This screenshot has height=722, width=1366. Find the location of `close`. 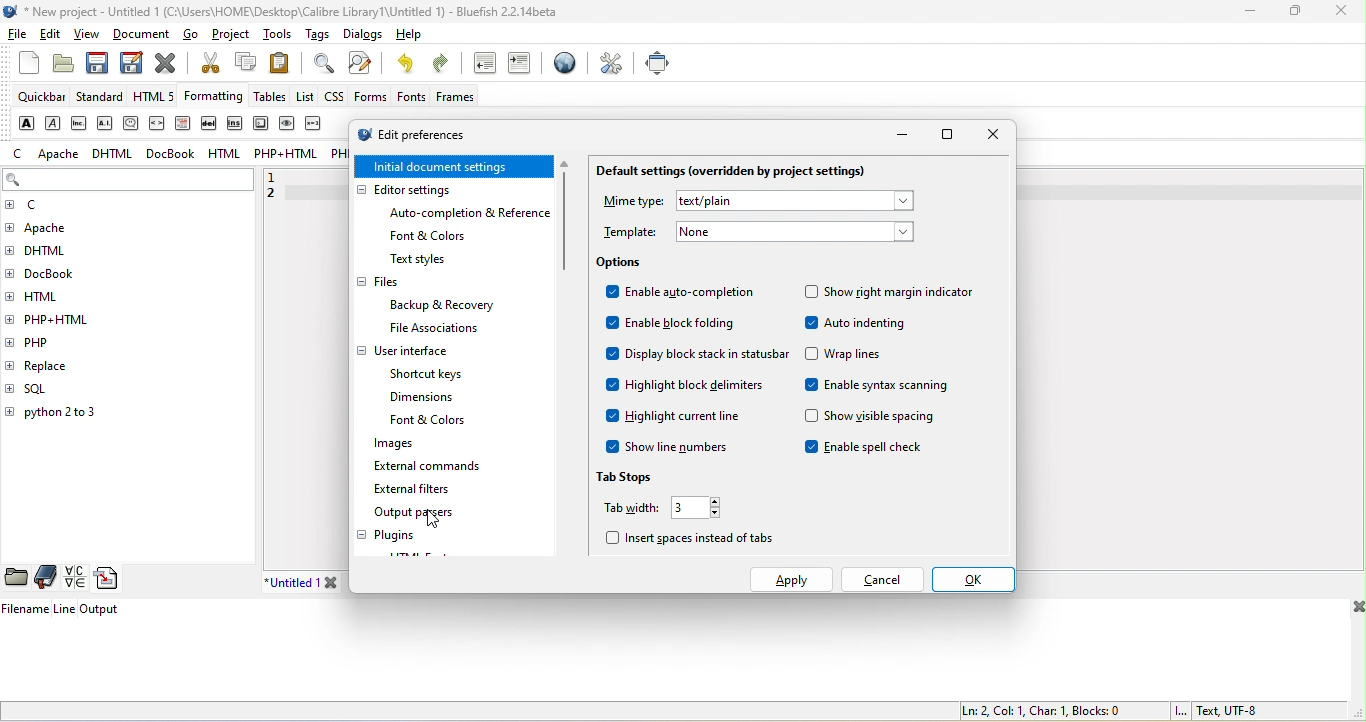

close is located at coordinates (166, 62).